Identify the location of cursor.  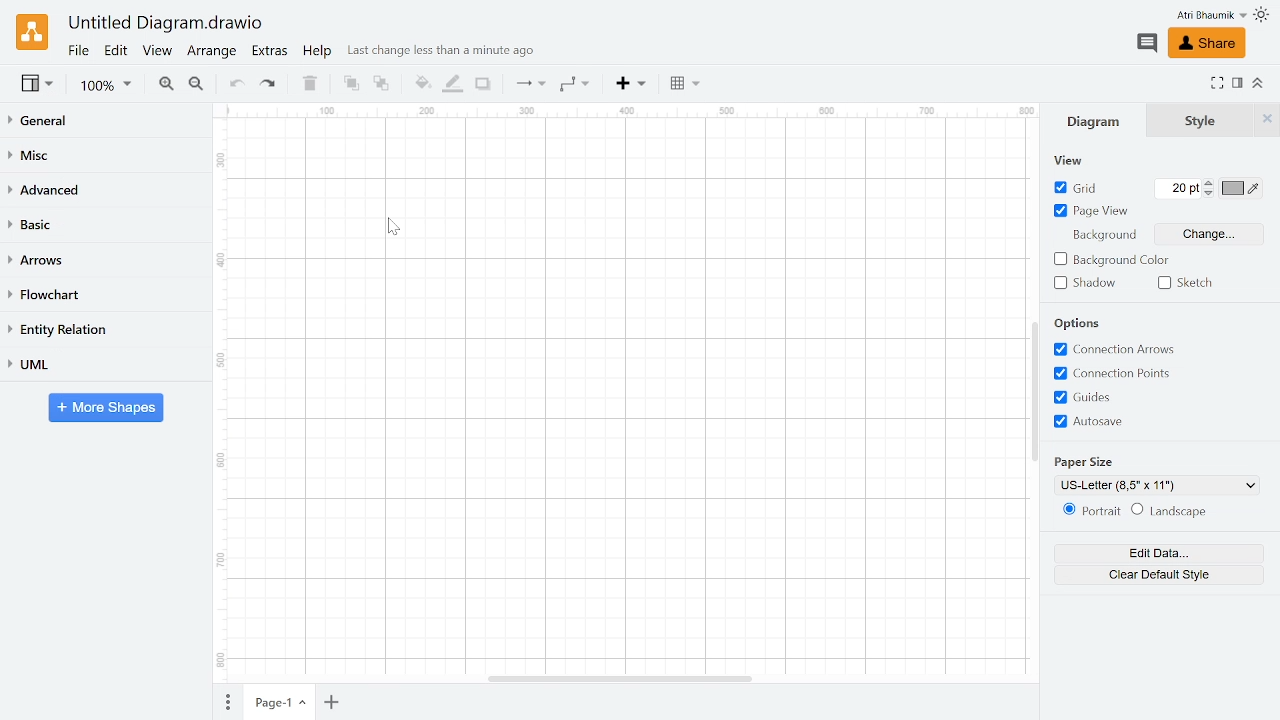
(392, 228).